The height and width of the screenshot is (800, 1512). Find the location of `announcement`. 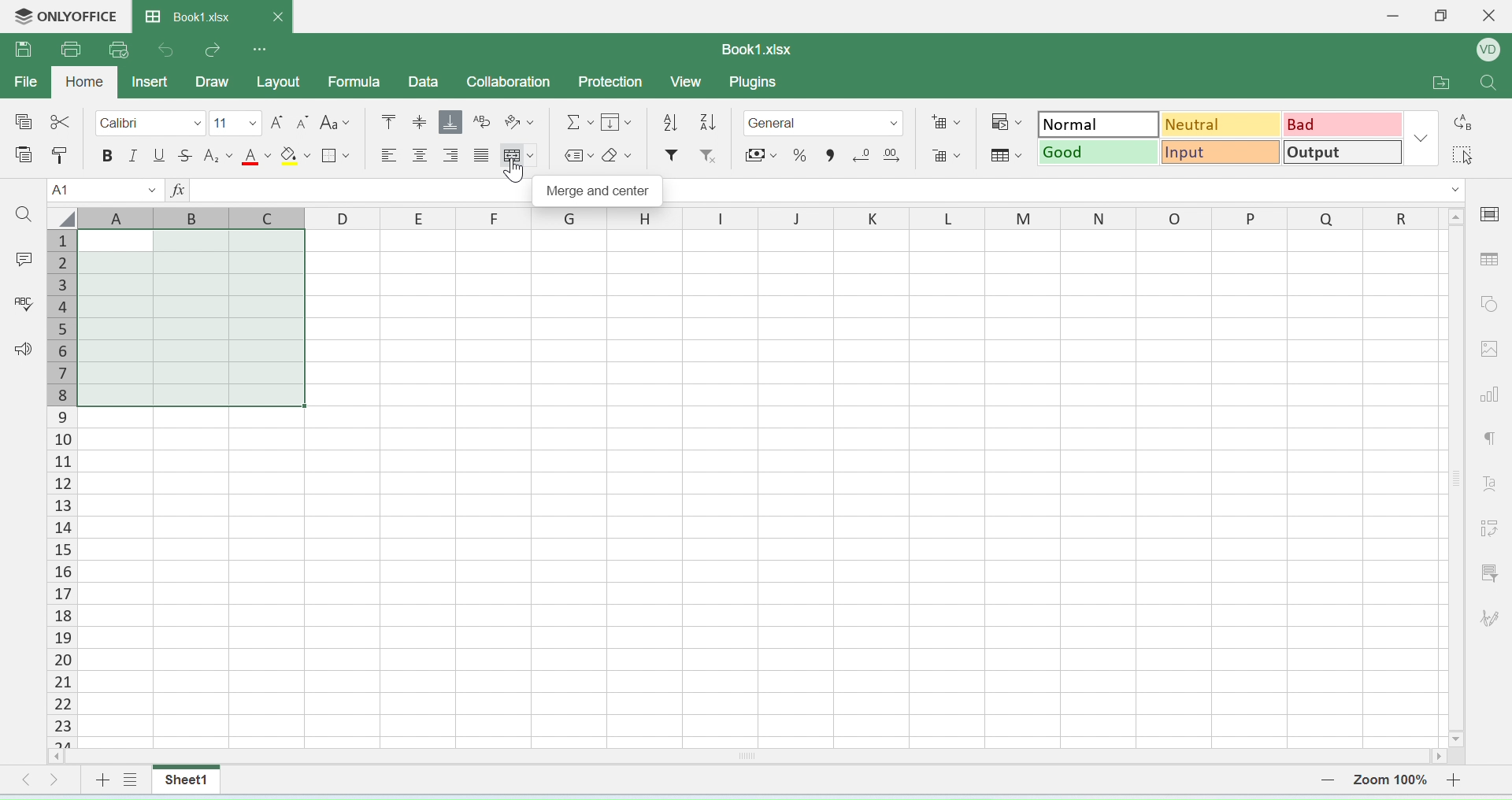

announcement is located at coordinates (22, 350).